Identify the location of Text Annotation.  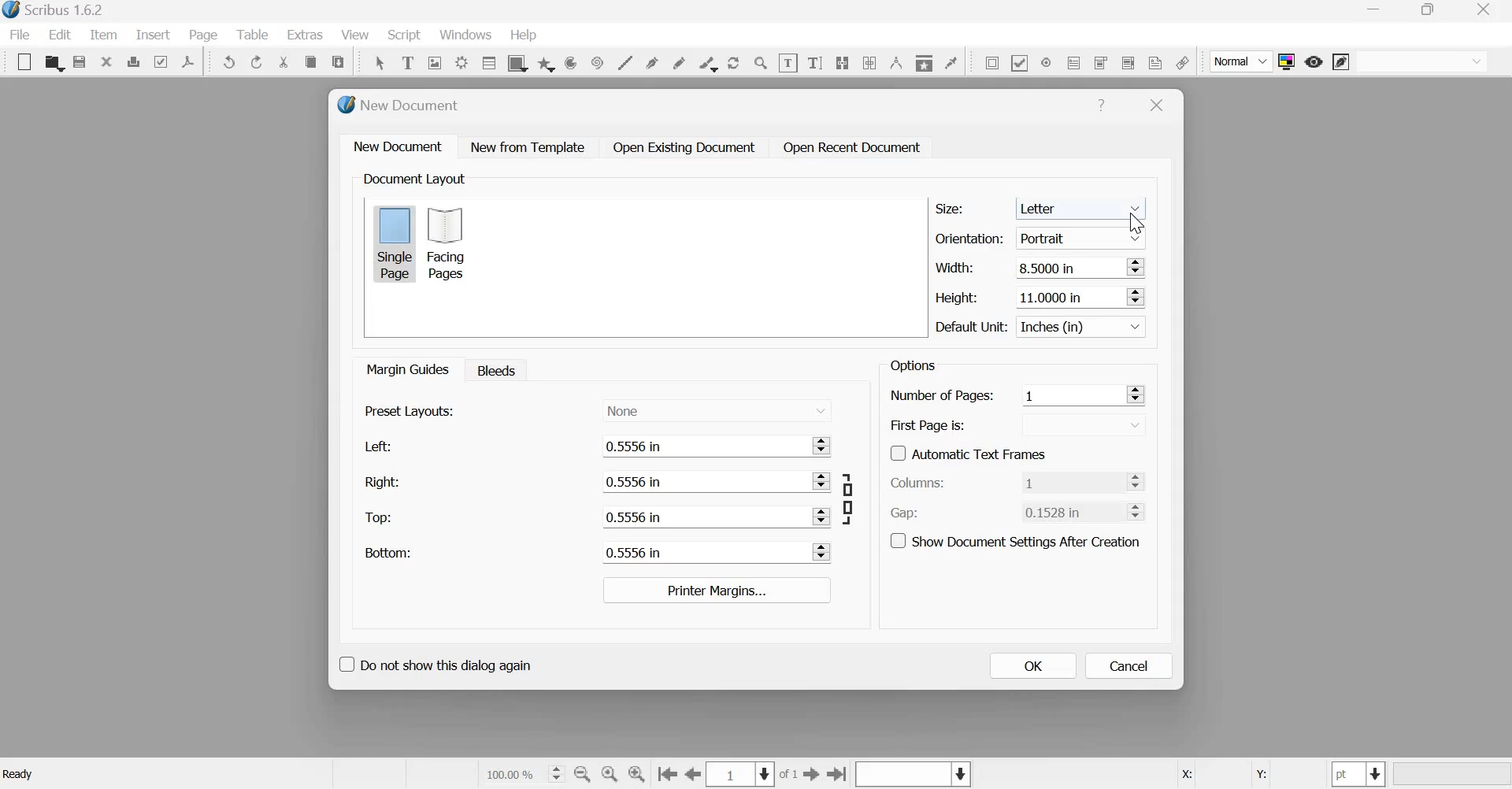
(1155, 62).